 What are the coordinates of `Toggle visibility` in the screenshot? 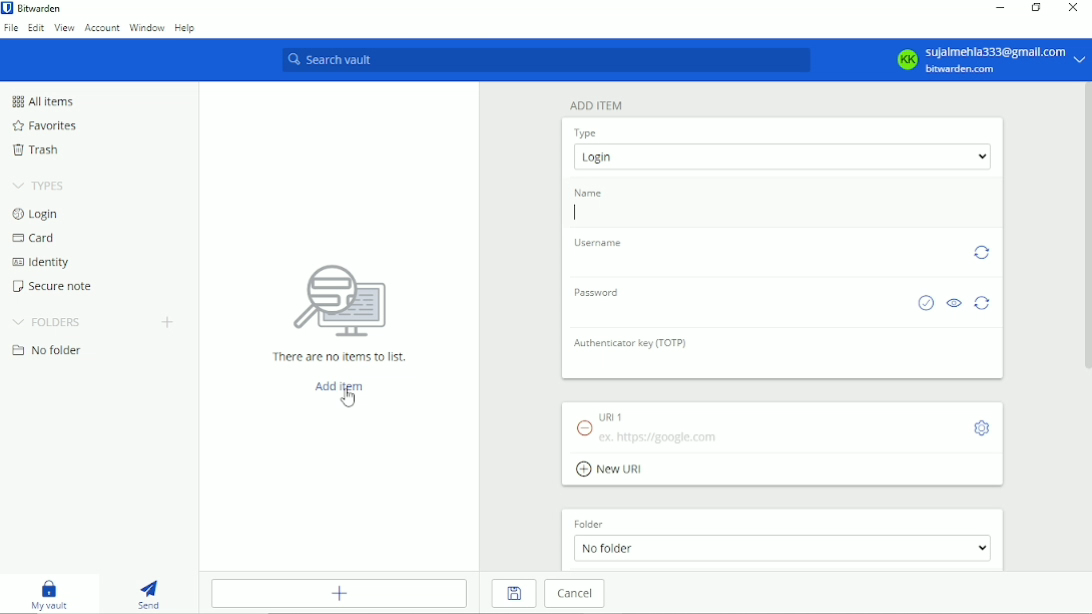 It's located at (954, 304).